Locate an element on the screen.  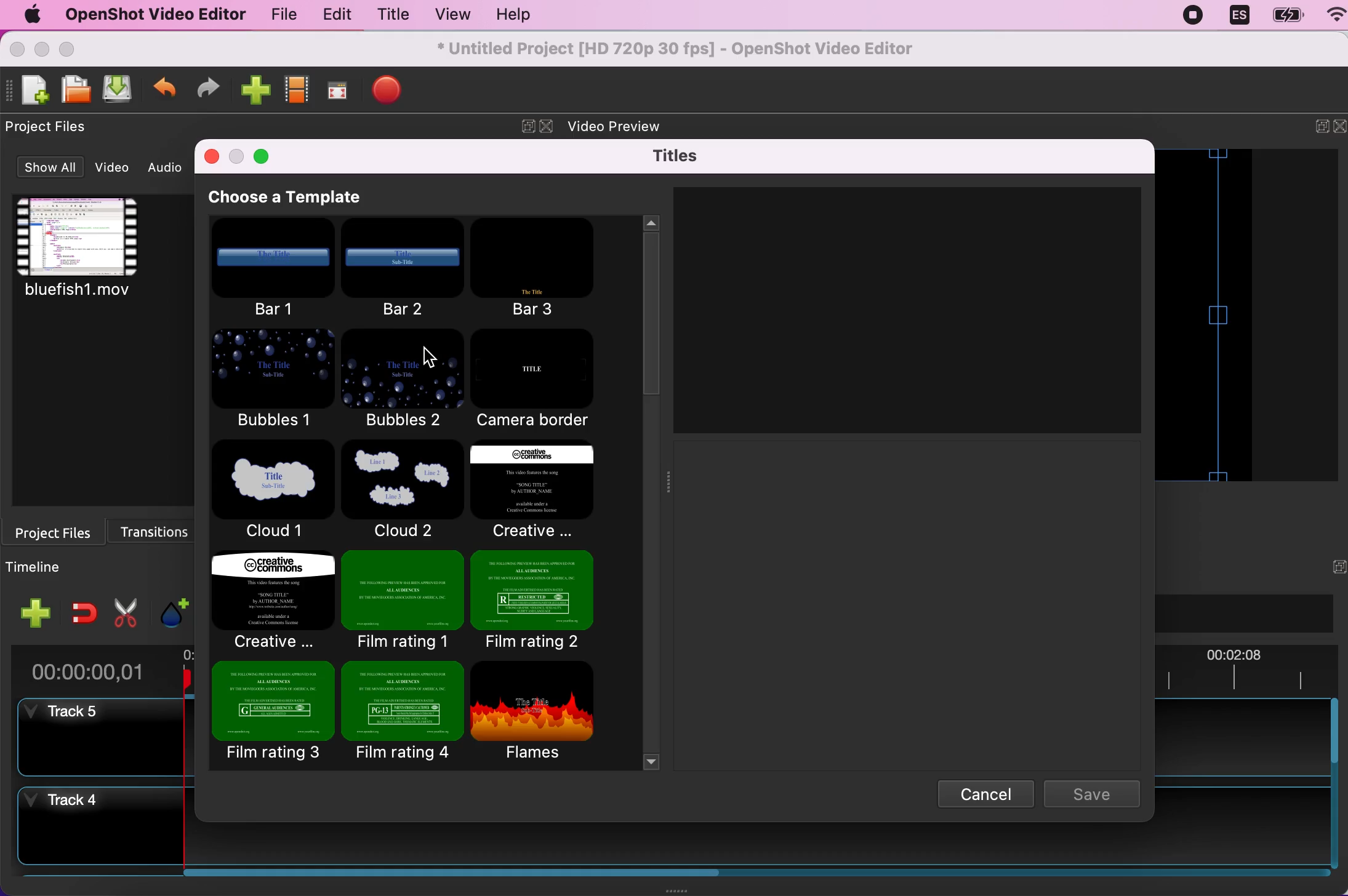
film rating 1 is located at coordinates (401, 599).